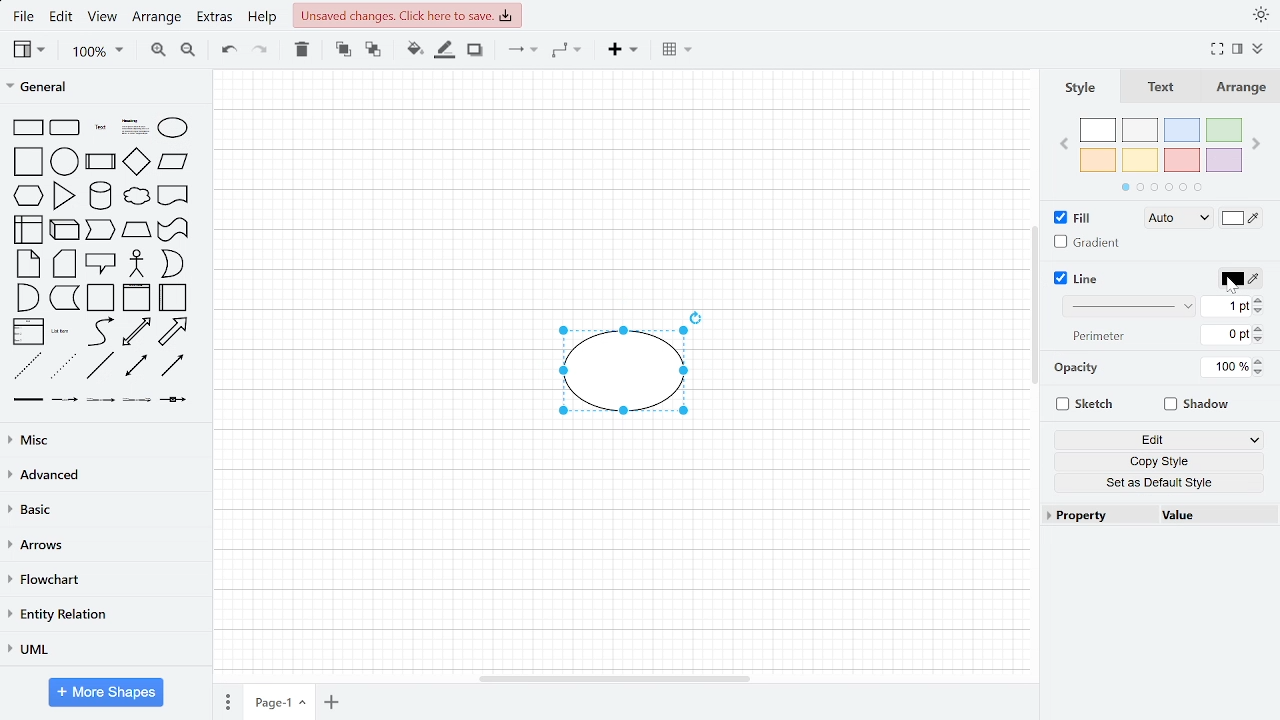 This screenshot has height=720, width=1280. I want to click on tape, so click(173, 230).